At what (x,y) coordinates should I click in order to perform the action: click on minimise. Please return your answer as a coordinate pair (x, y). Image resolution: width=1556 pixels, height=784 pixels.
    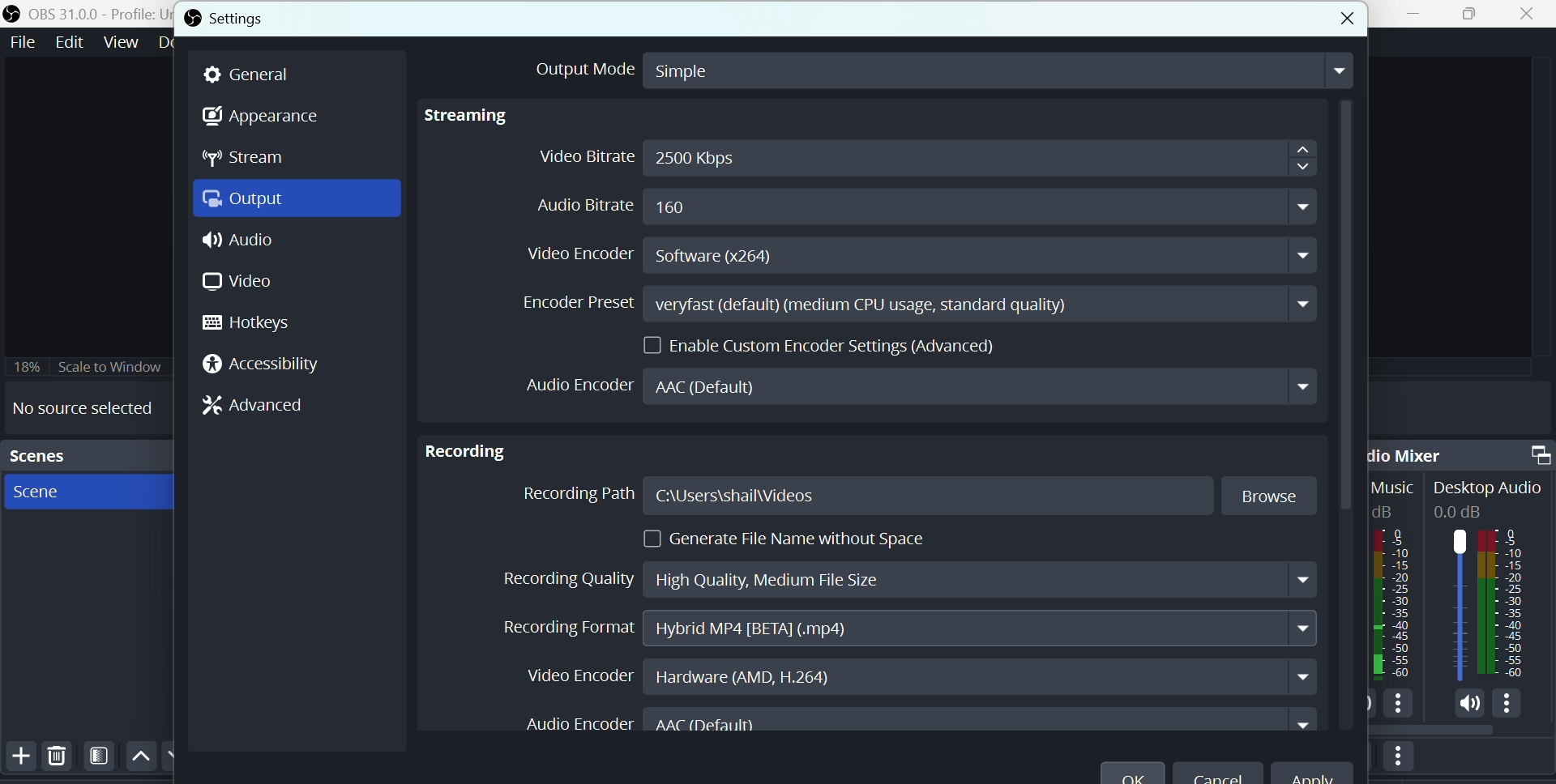
    Looking at the image, I should click on (1422, 15).